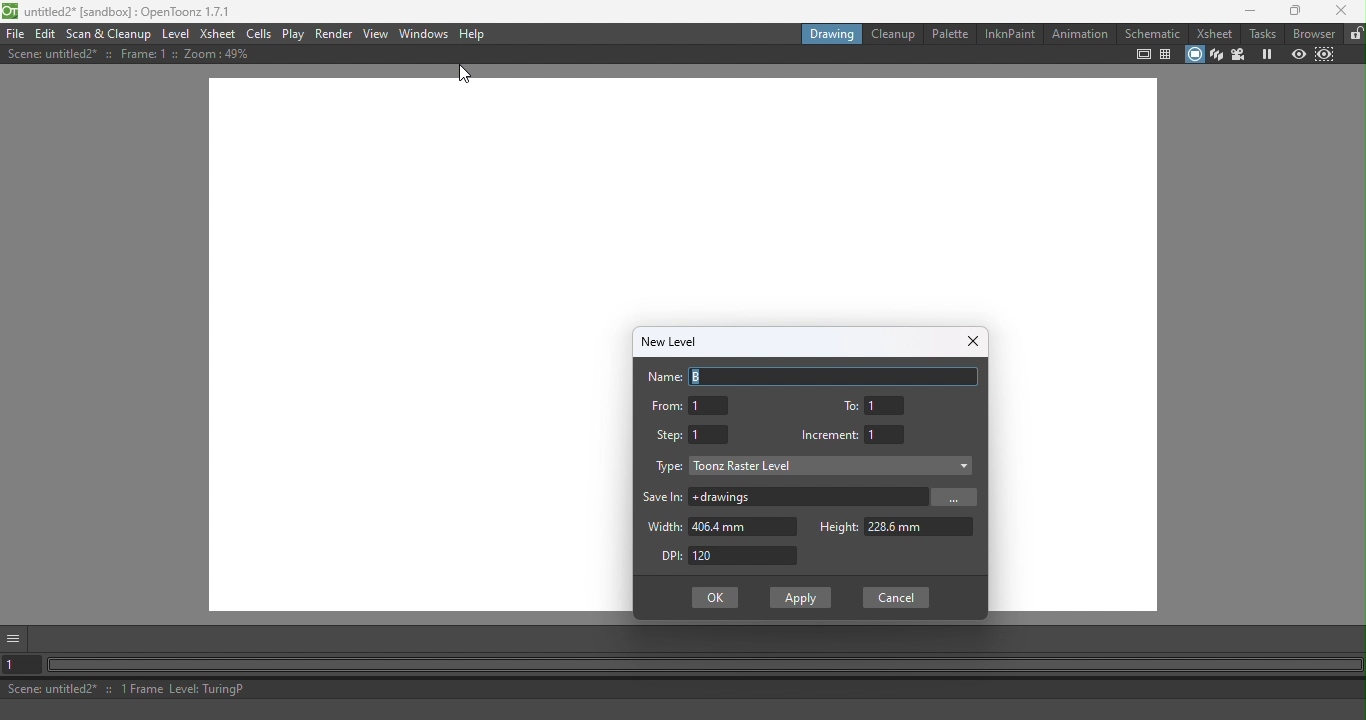 The image size is (1366, 720). Describe the element at coordinates (16, 640) in the screenshot. I see `More options` at that location.